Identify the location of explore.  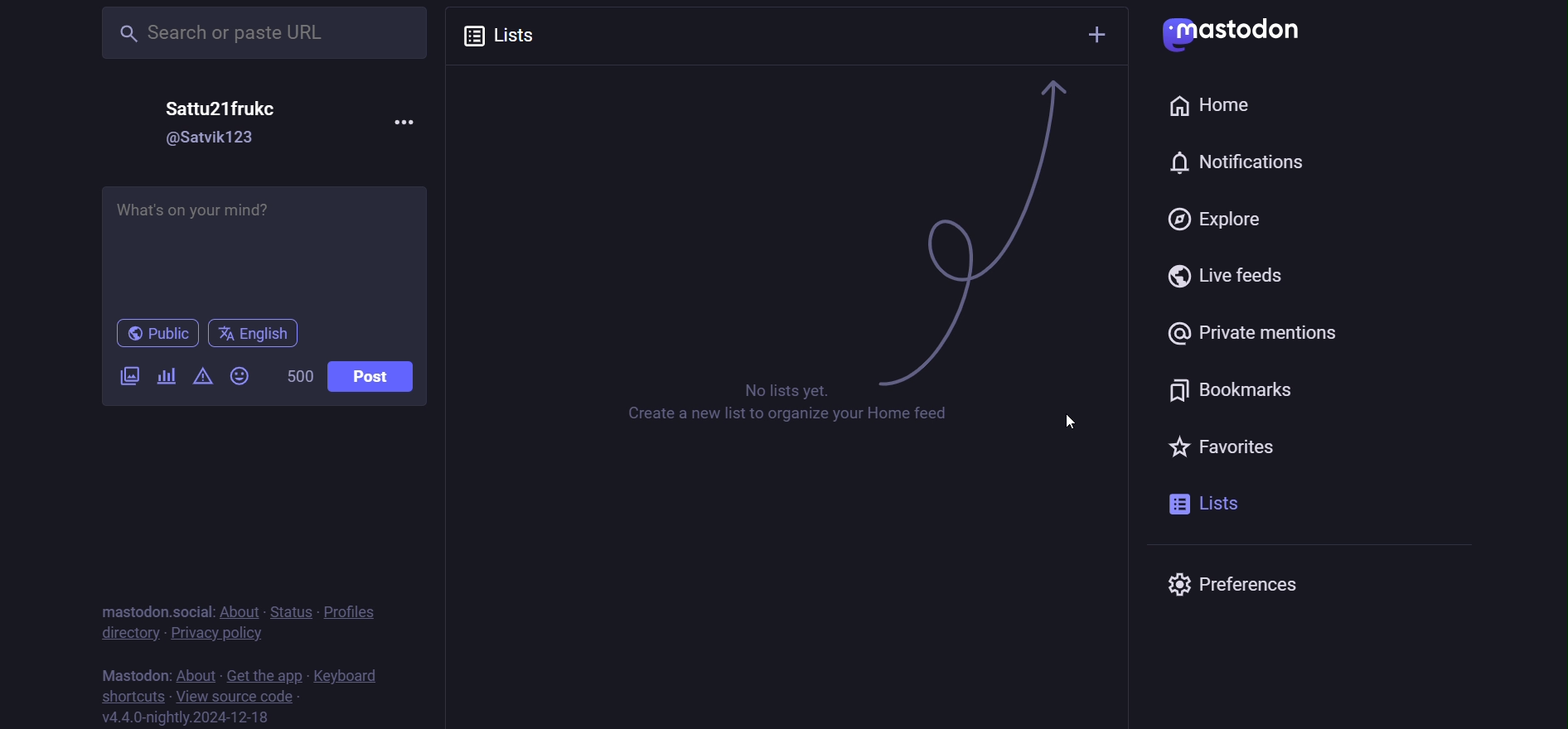
(1215, 216).